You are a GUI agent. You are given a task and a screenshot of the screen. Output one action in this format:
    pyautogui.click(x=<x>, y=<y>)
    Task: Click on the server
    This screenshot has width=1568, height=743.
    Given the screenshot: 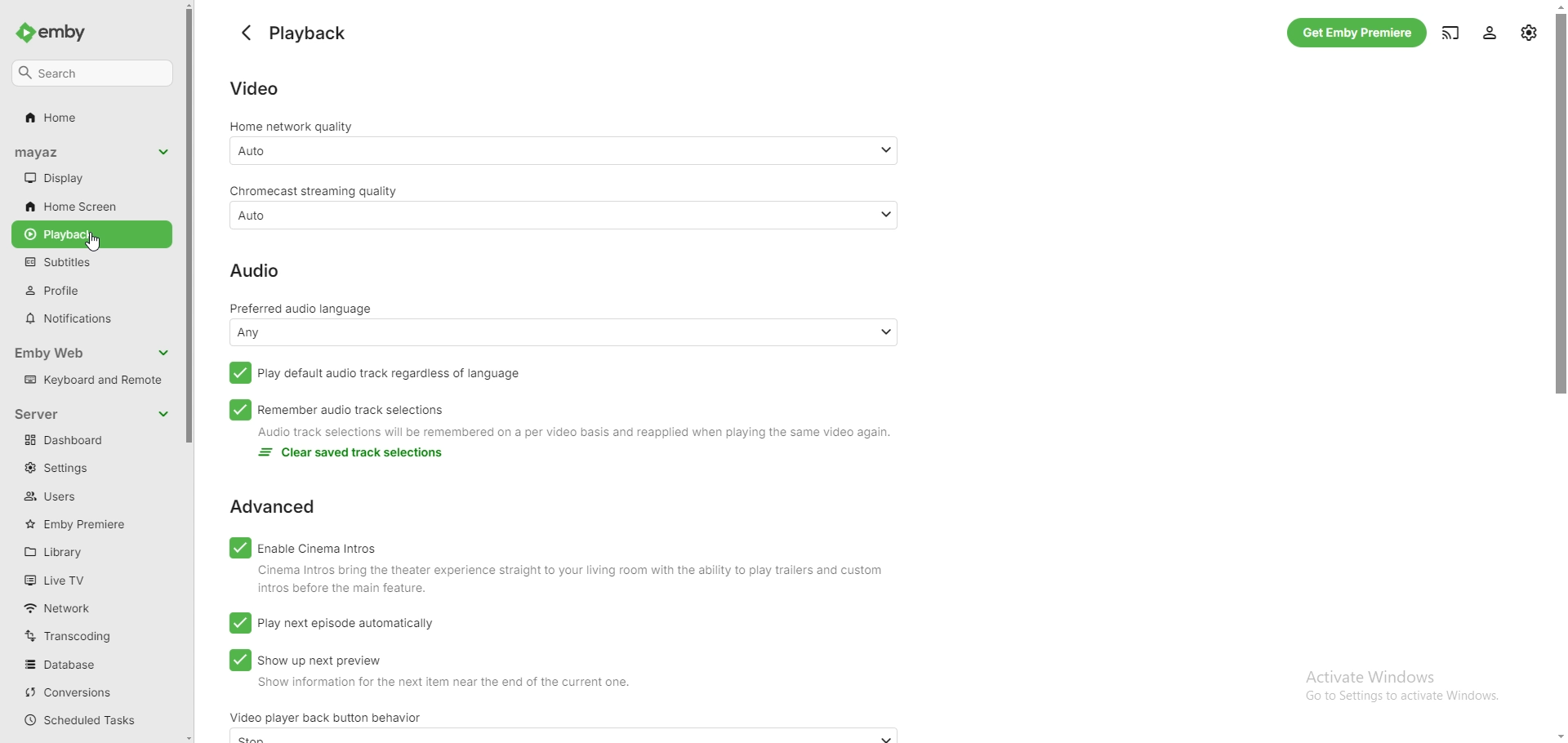 What is the action you would take?
    pyautogui.click(x=49, y=413)
    